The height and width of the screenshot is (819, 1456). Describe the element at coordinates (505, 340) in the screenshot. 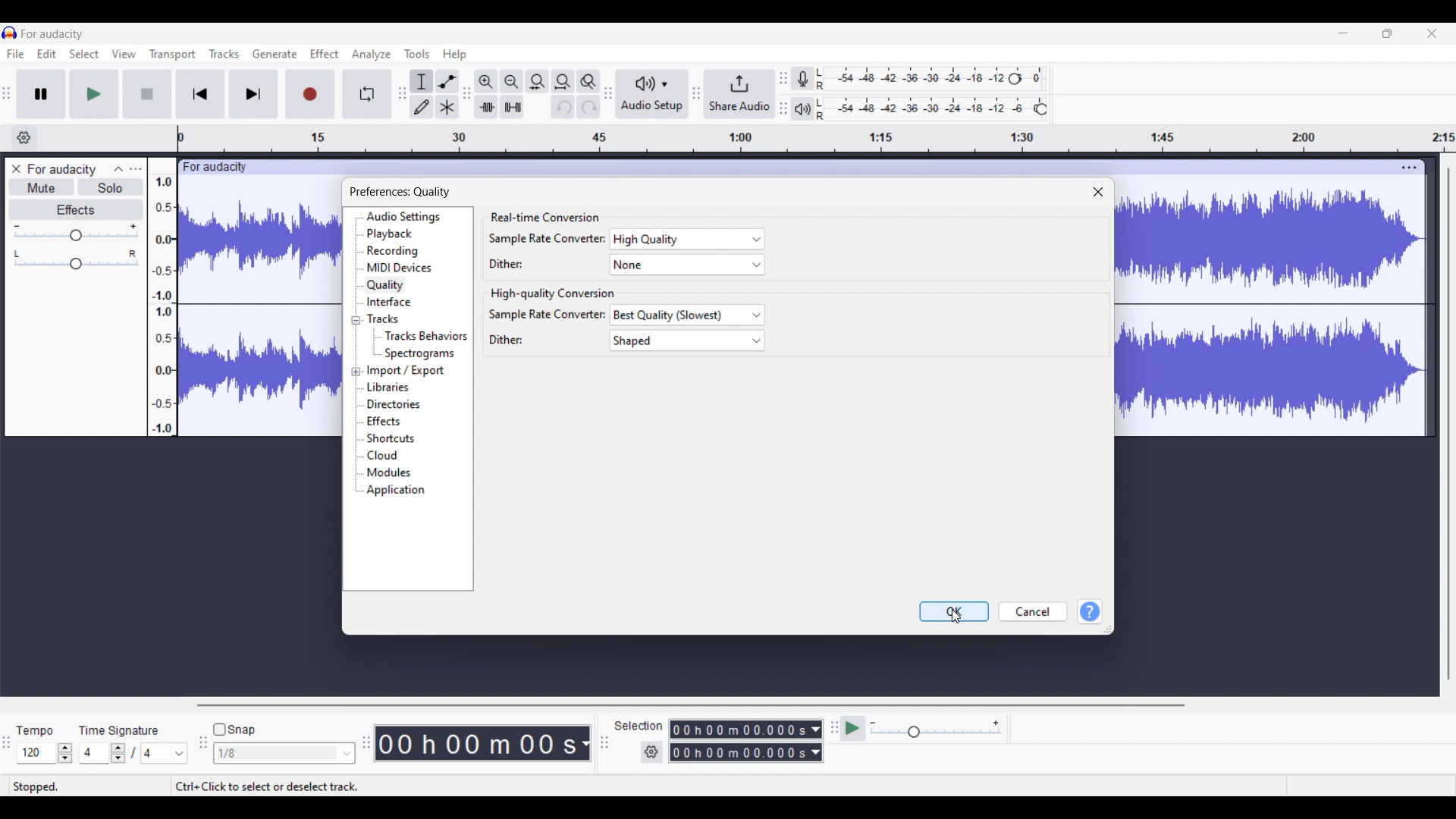

I see `dither:` at that location.